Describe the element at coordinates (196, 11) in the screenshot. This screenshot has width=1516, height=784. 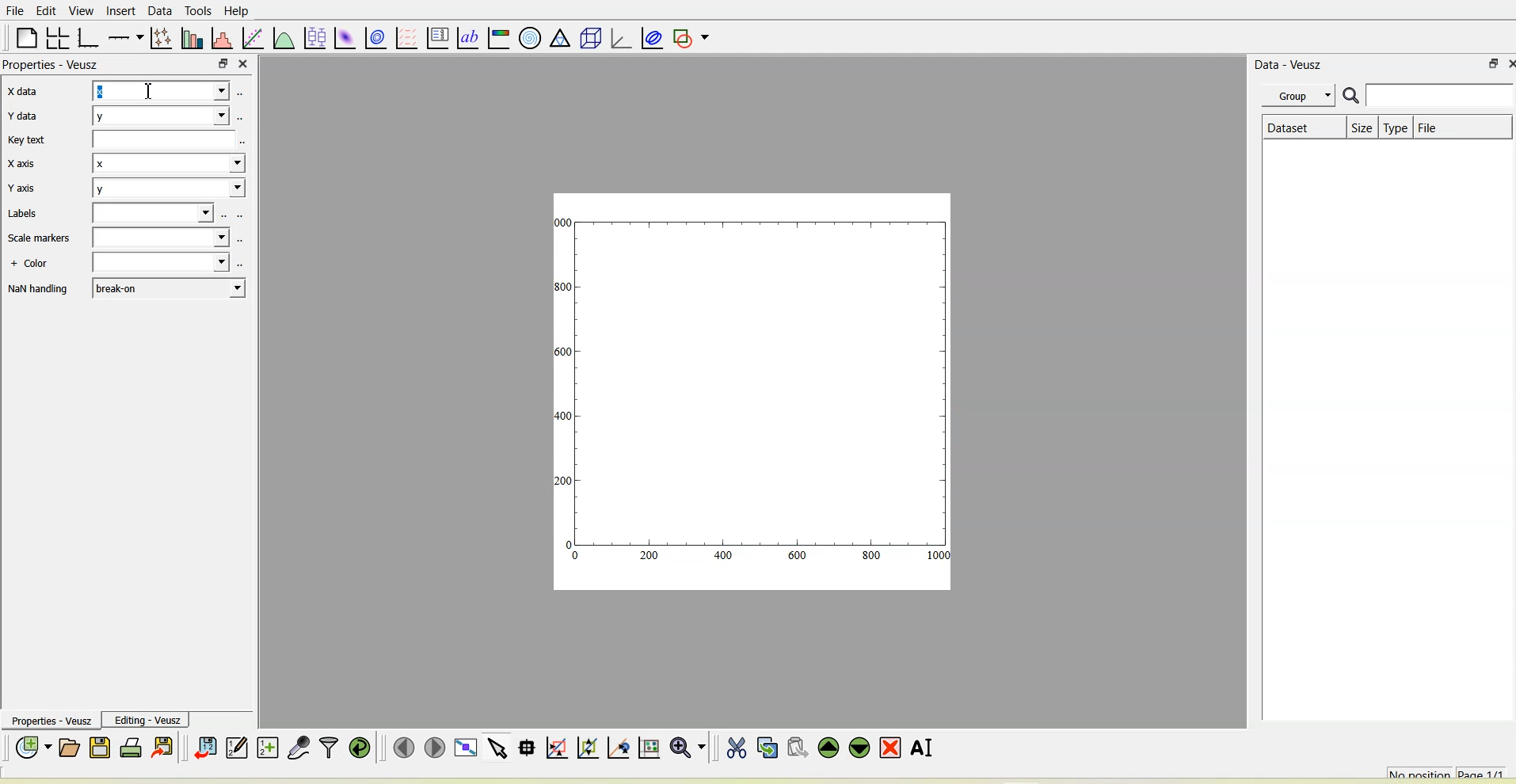
I see `Tools` at that location.